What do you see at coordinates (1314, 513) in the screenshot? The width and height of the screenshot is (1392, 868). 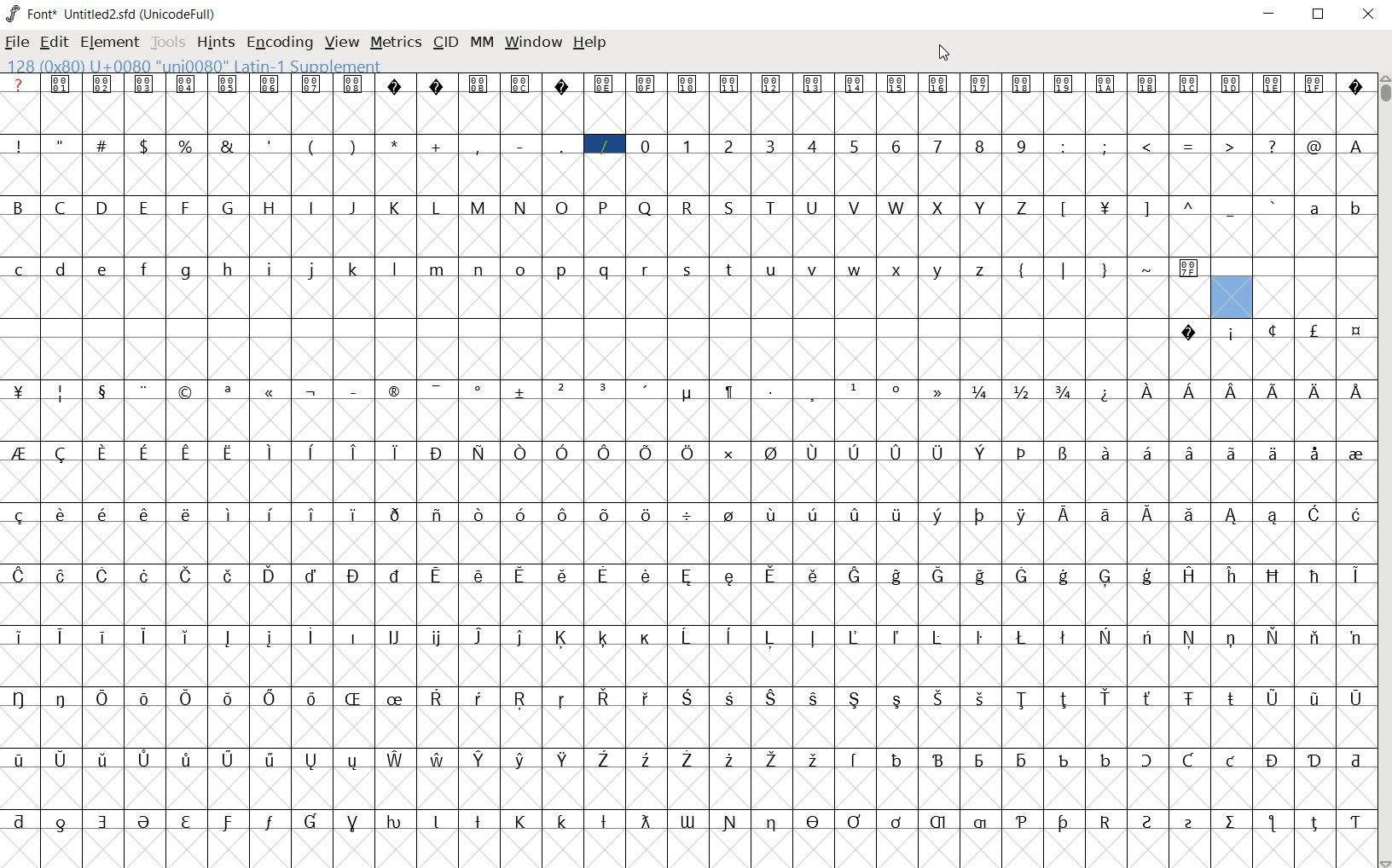 I see `glyph` at bounding box center [1314, 513].